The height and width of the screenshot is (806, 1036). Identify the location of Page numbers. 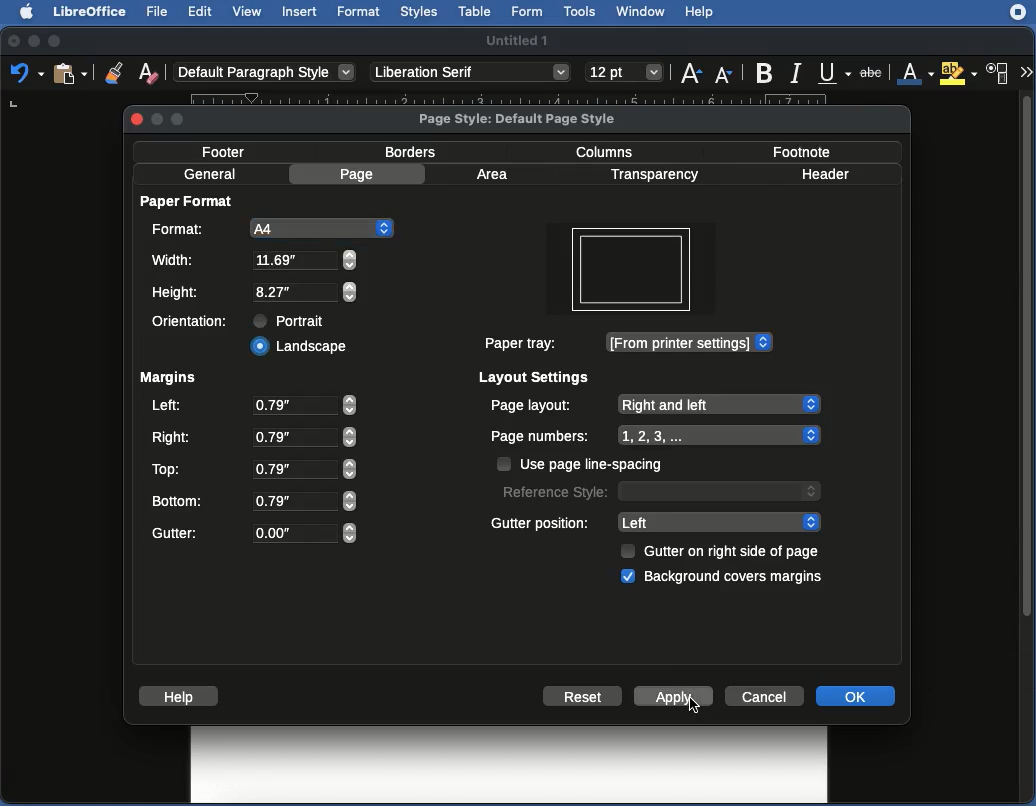
(655, 435).